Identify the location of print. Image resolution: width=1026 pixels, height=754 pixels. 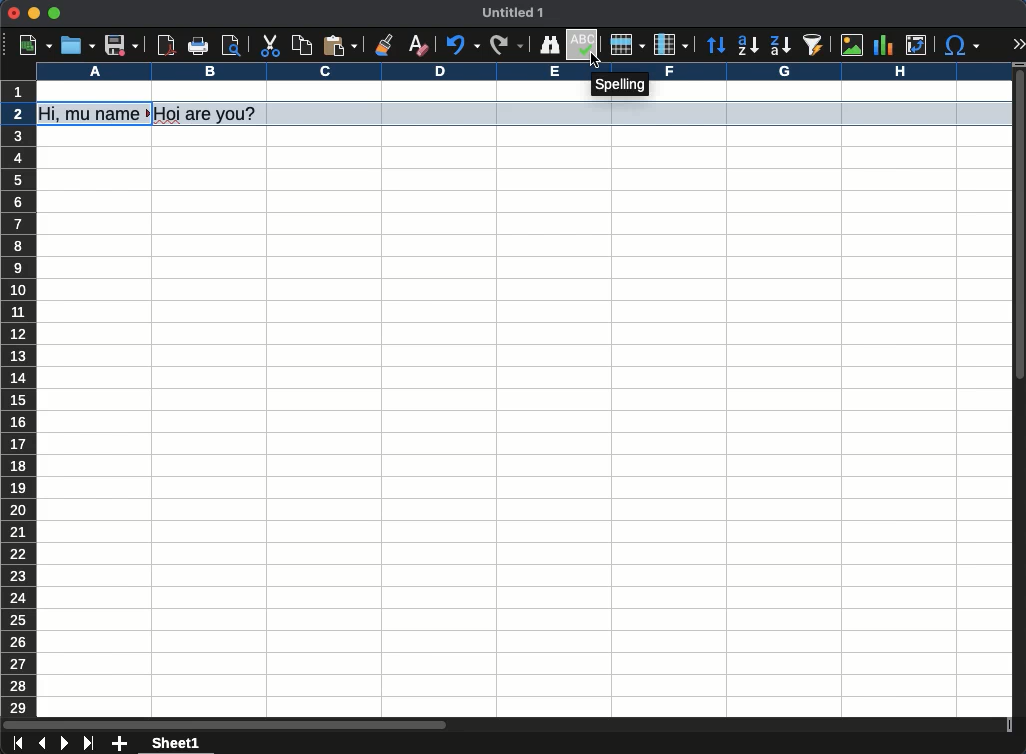
(199, 45).